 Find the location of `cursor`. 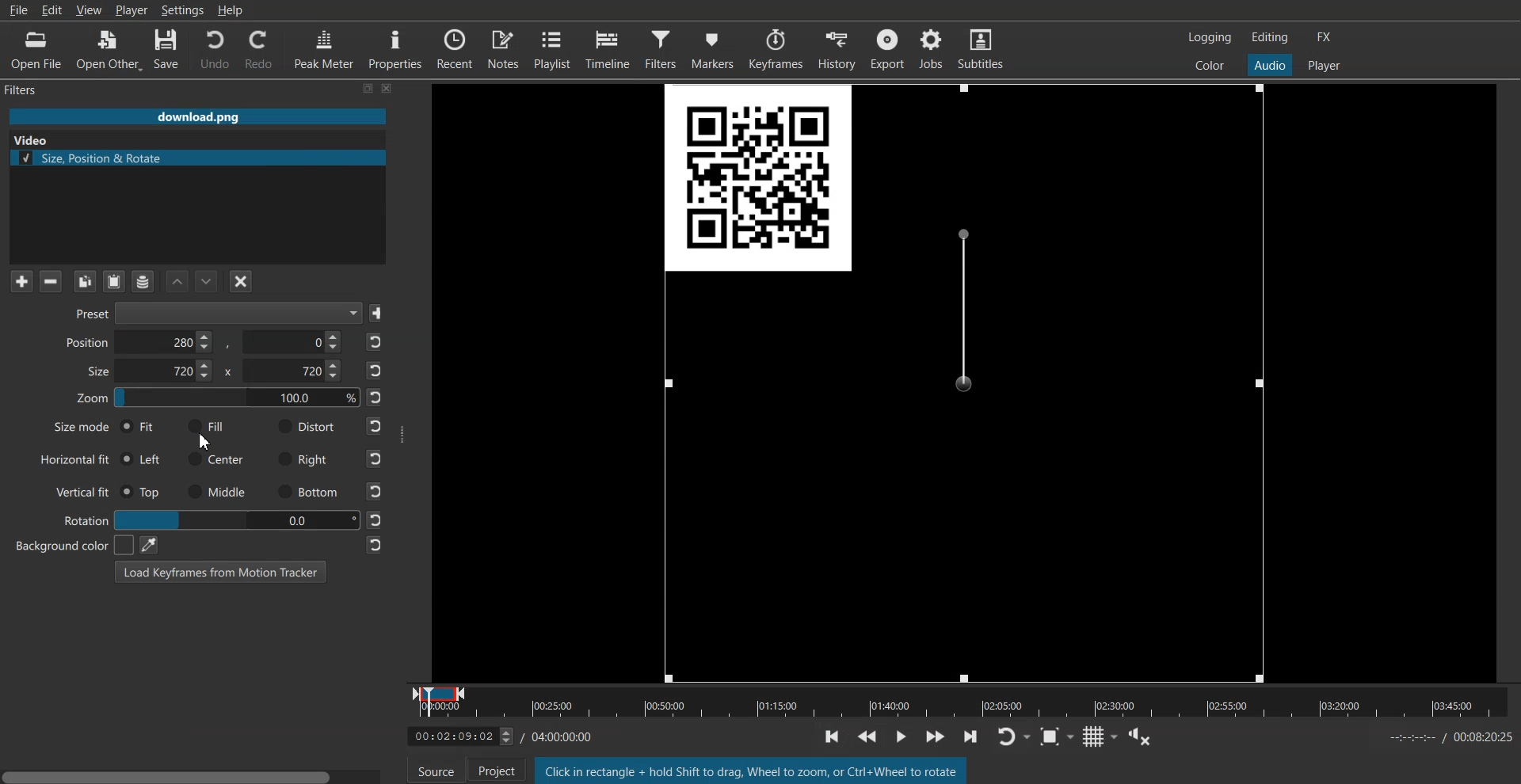

cursor is located at coordinates (207, 447).